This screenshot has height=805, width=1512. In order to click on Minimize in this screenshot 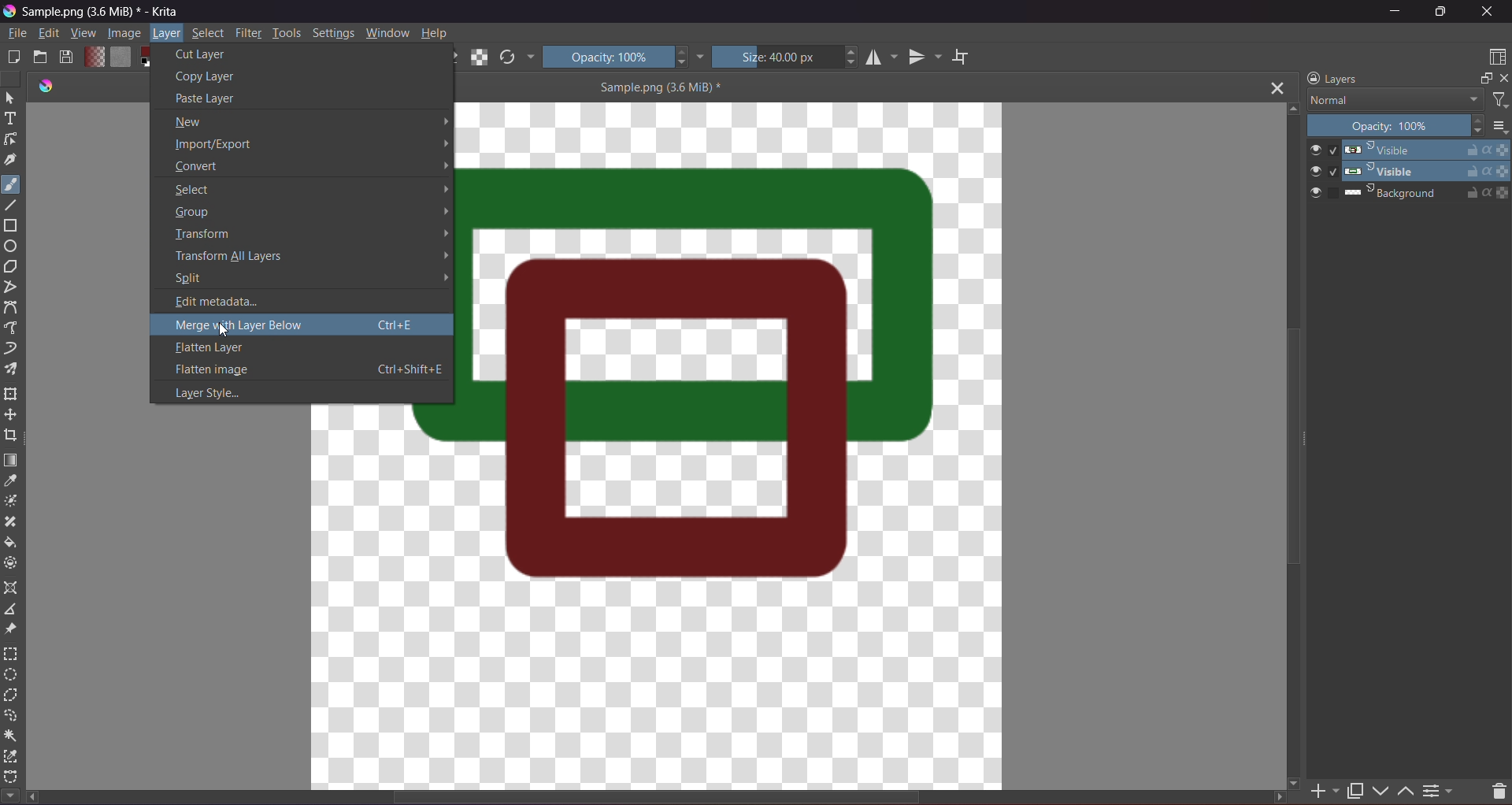, I will do `click(1395, 11)`.